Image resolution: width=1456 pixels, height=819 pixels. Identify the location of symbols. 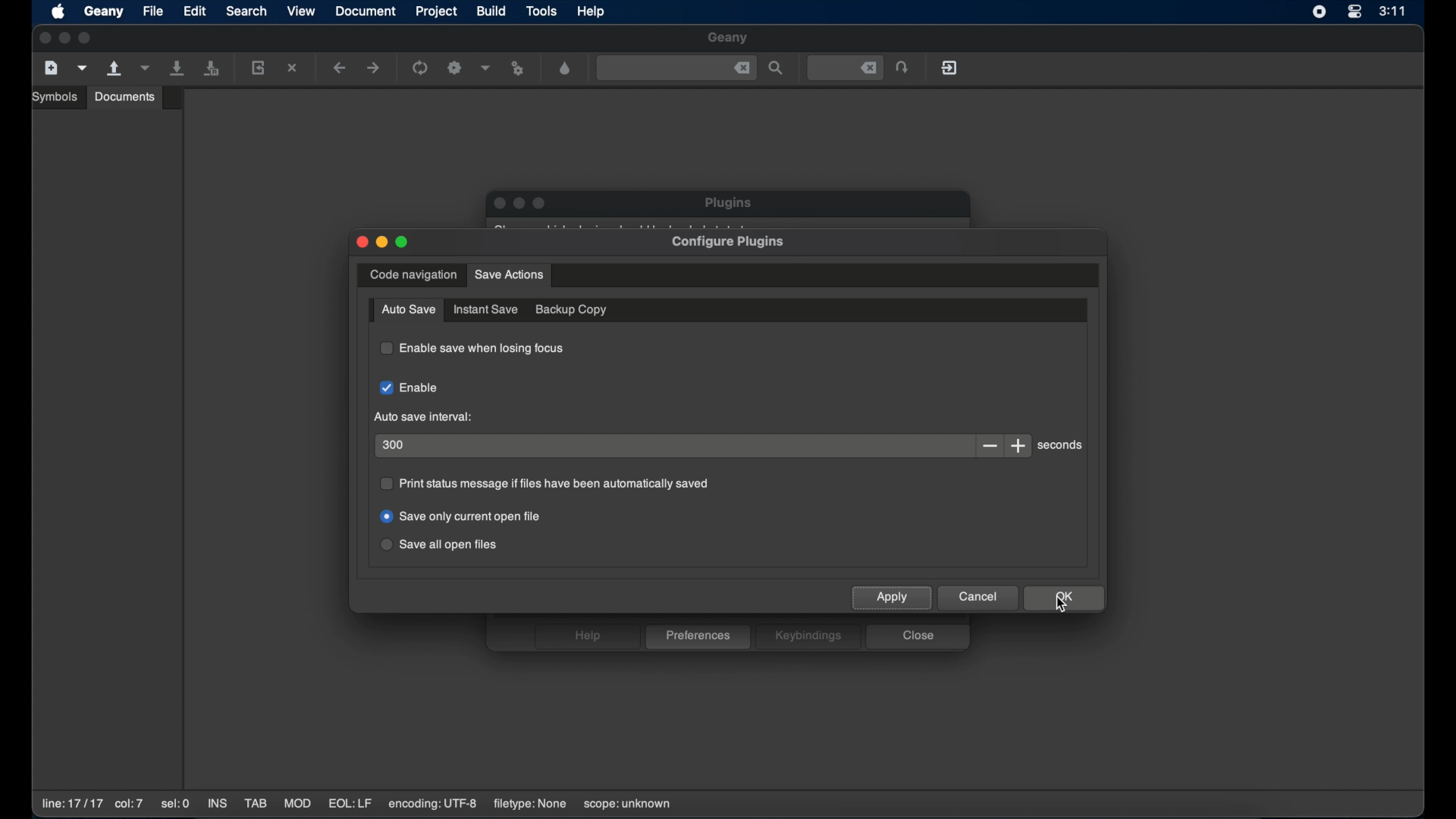
(57, 97).